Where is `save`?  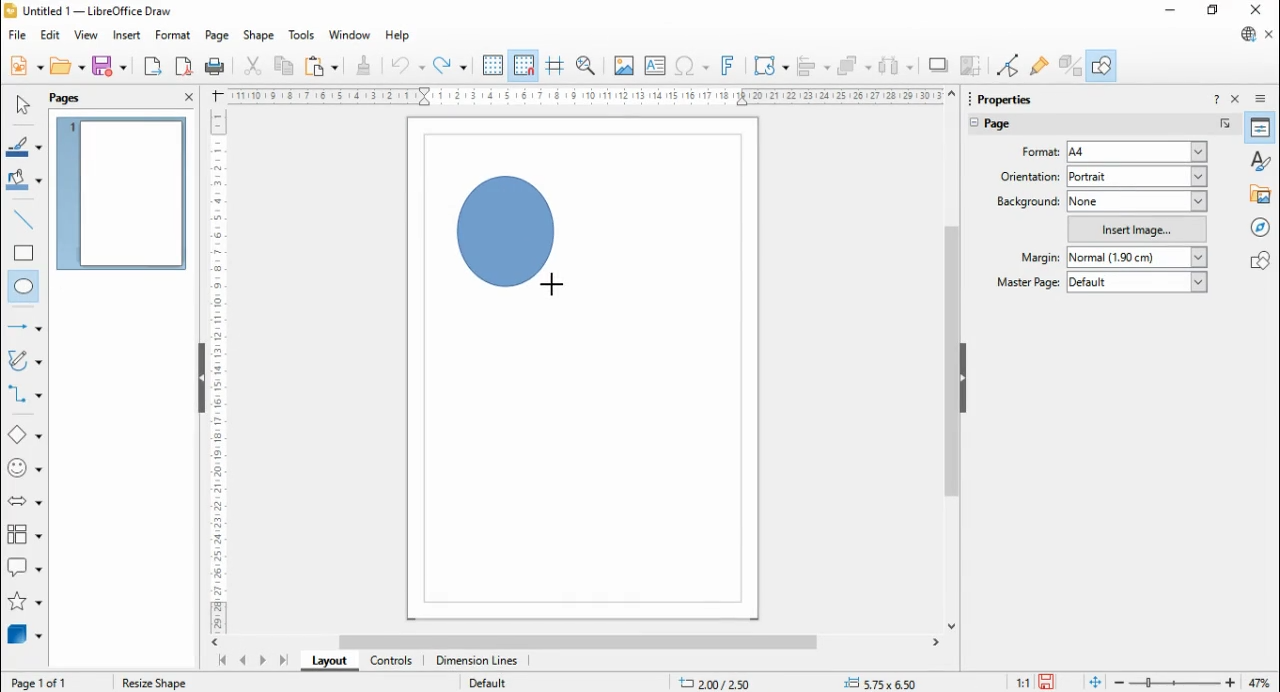 save is located at coordinates (1049, 682).